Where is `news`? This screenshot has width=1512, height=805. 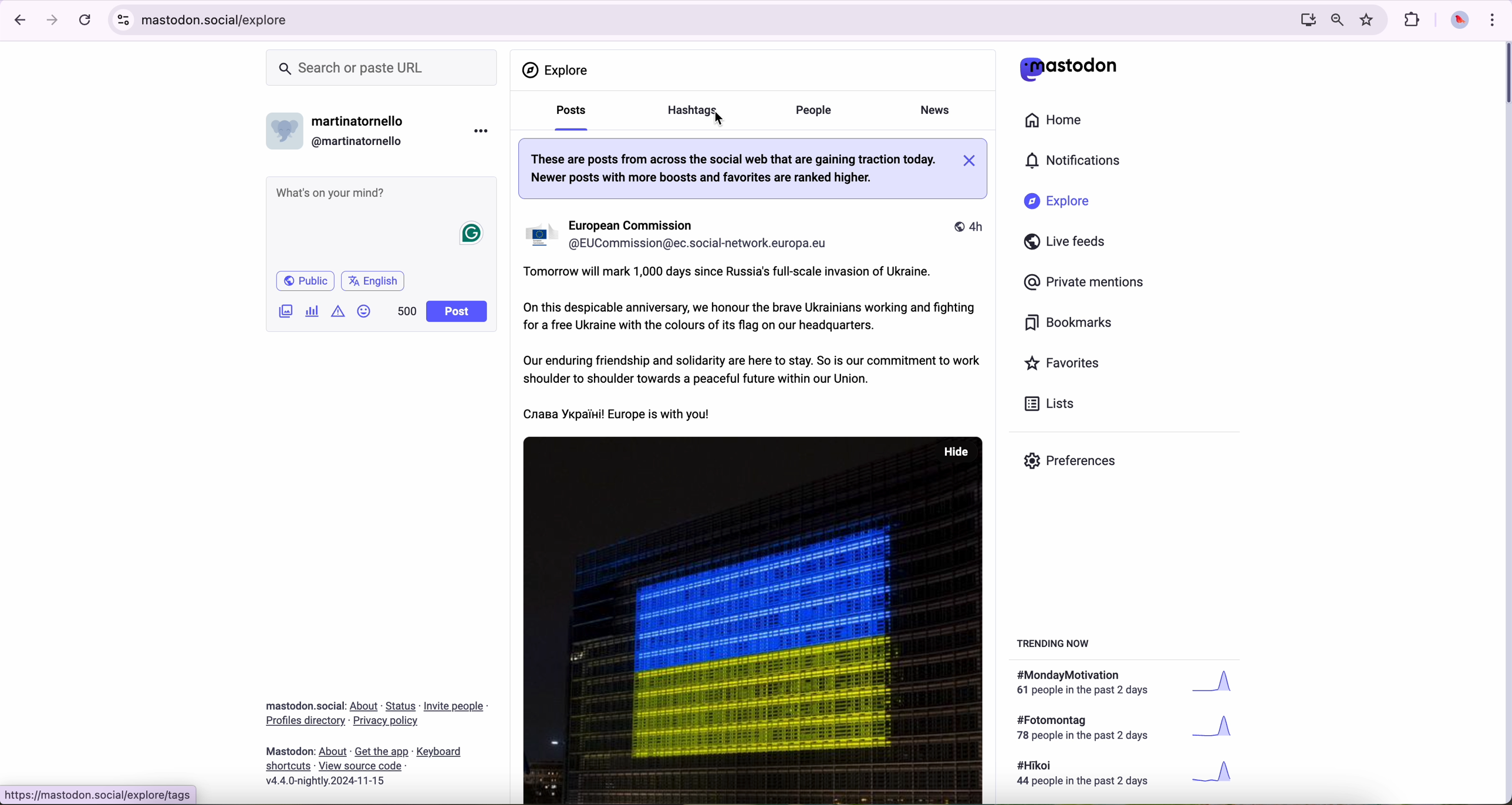 news is located at coordinates (934, 112).